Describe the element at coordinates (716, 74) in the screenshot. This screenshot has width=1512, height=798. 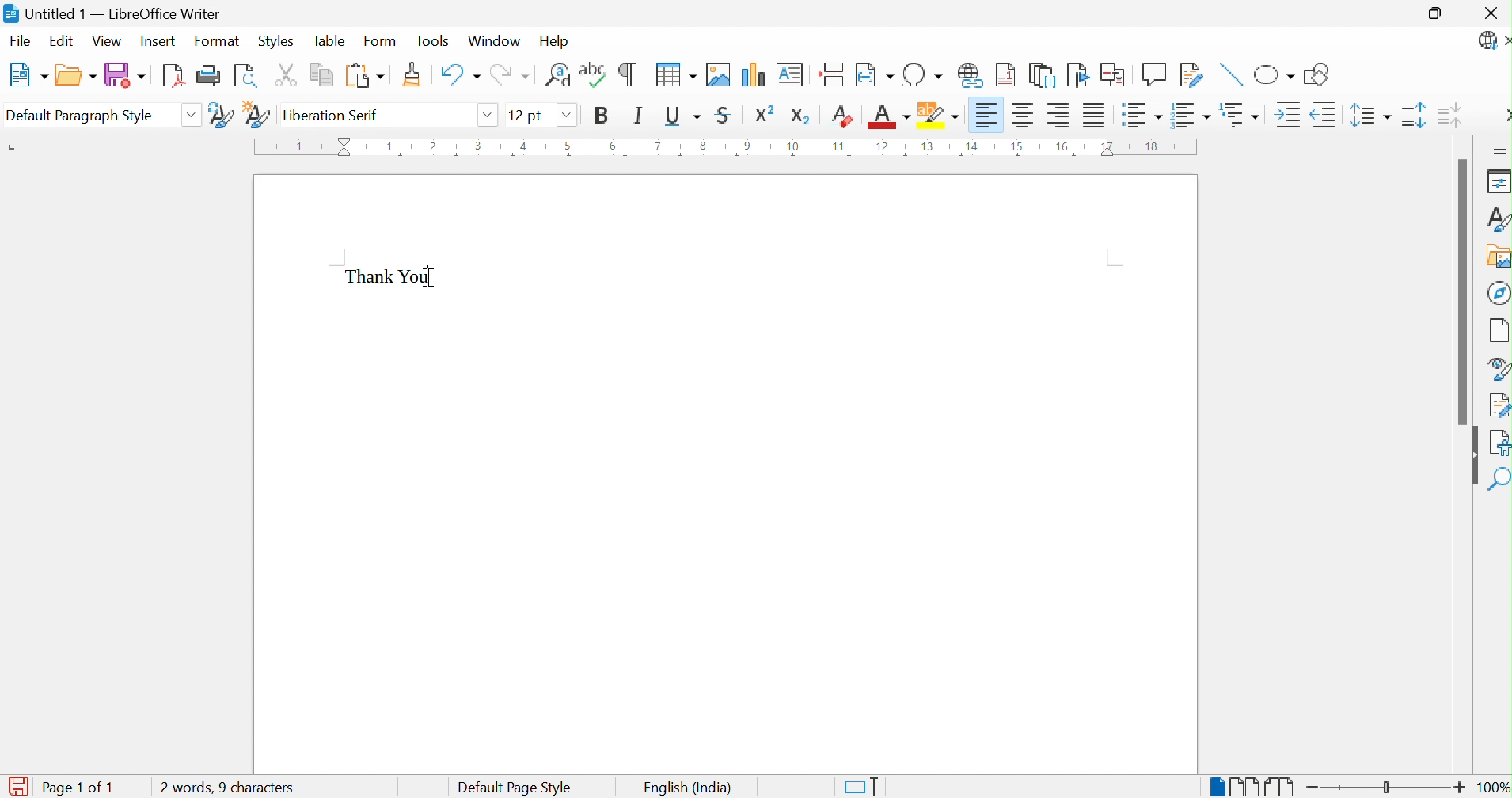
I see `Insert Image` at that location.